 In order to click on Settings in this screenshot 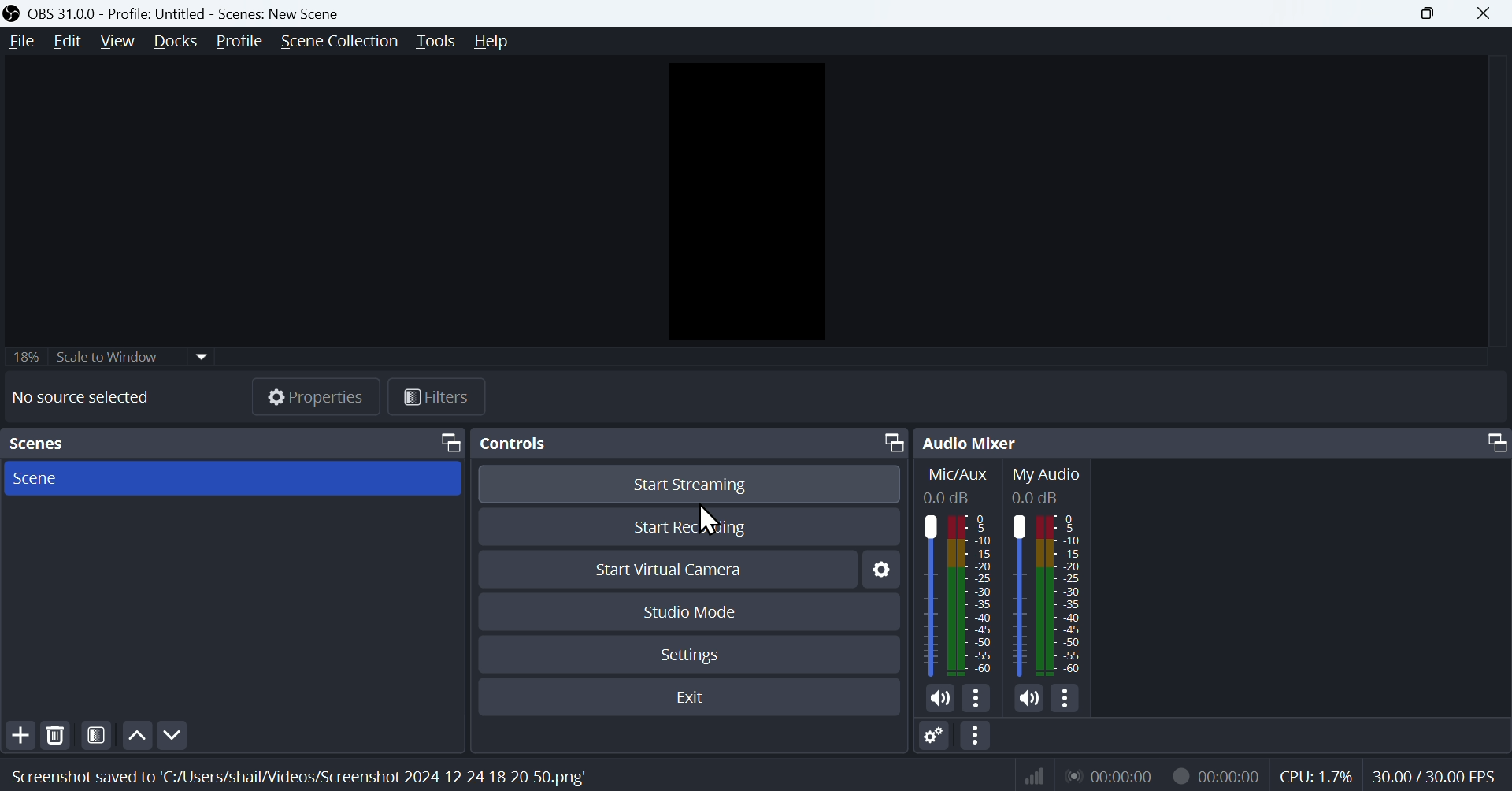, I will do `click(880, 570)`.